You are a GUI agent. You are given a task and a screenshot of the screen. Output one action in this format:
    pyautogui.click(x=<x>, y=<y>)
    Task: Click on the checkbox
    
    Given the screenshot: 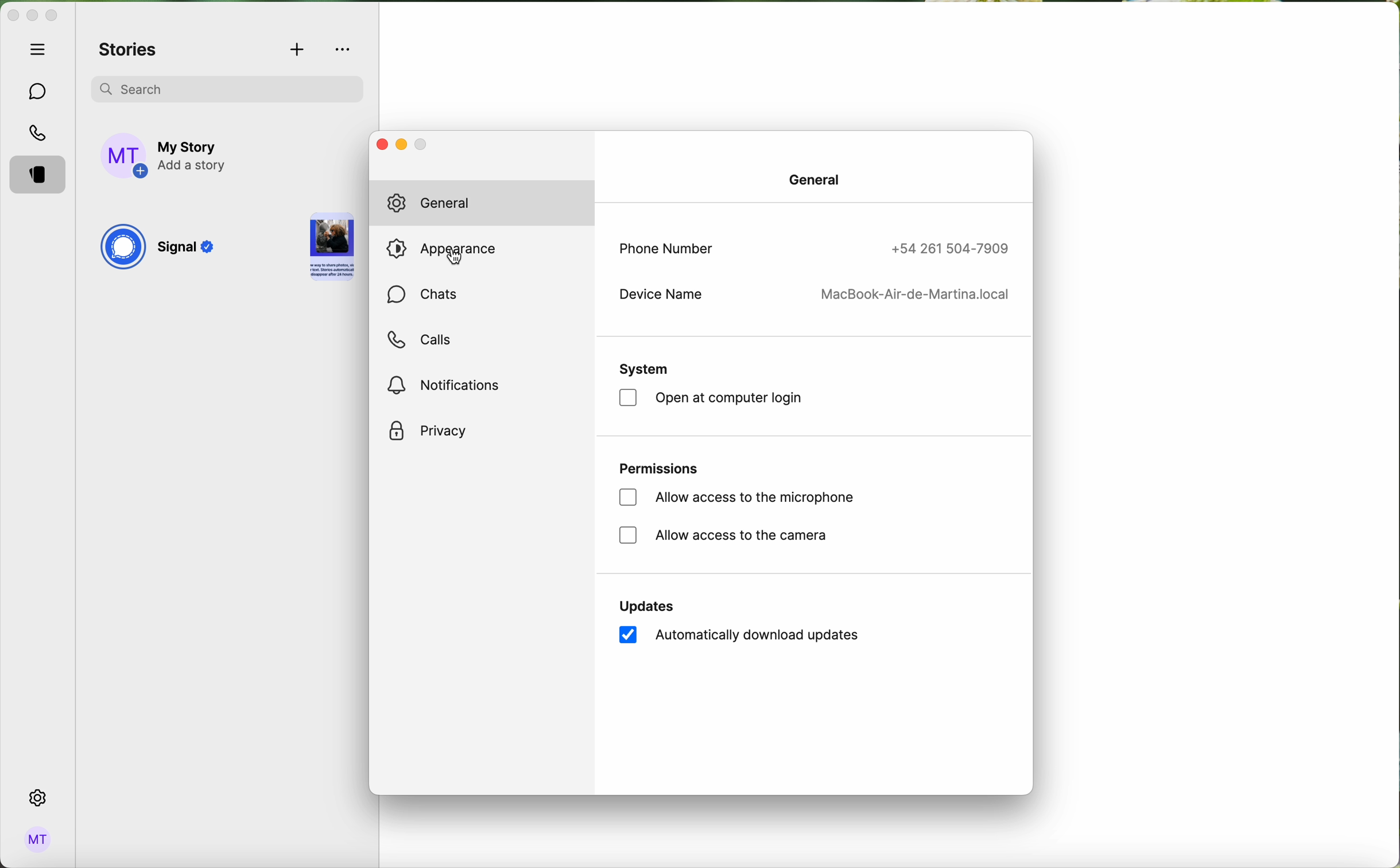 What is the action you would take?
    pyautogui.click(x=625, y=498)
    